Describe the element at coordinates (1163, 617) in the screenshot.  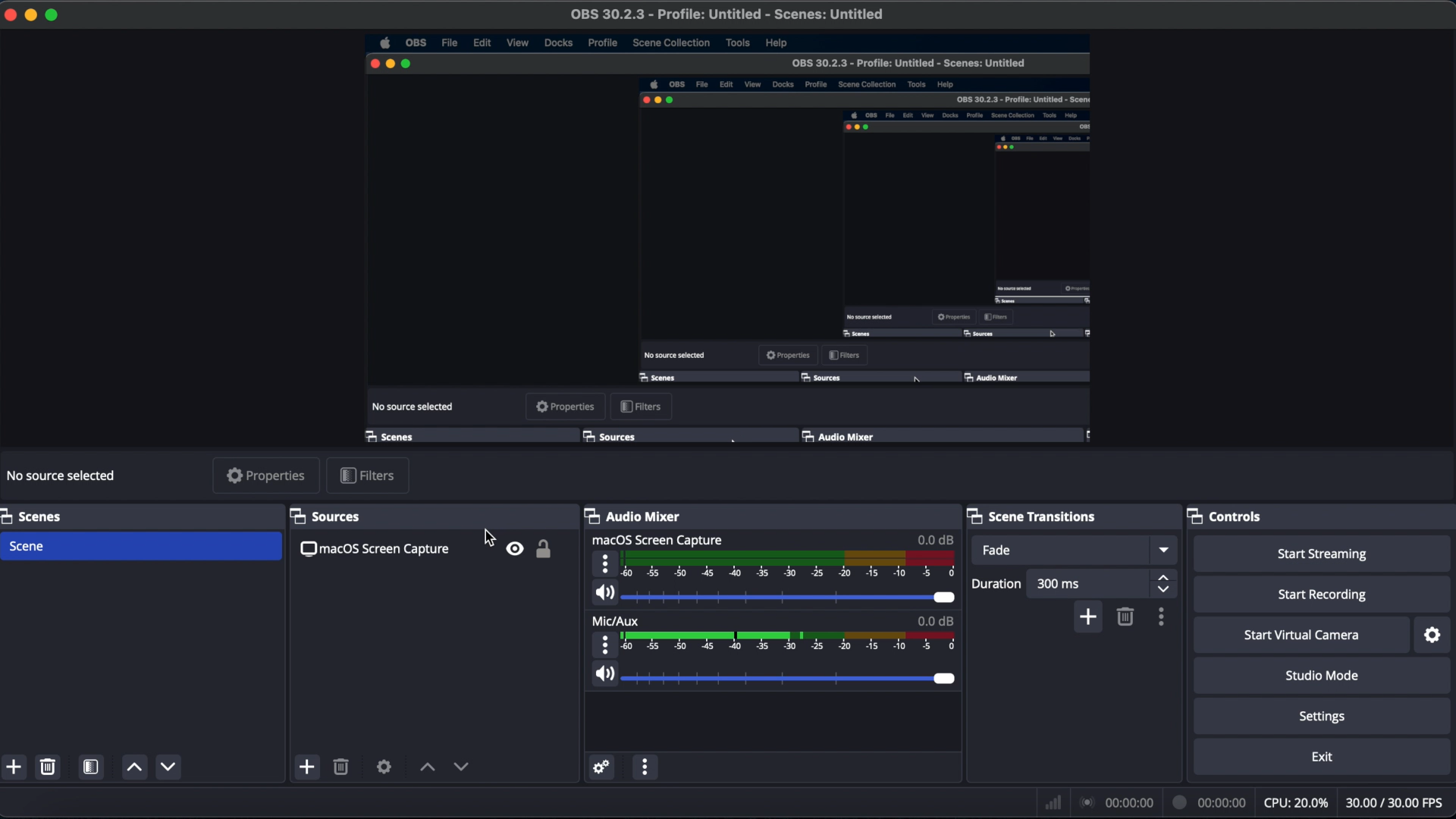
I see `configurable transition properties` at that location.